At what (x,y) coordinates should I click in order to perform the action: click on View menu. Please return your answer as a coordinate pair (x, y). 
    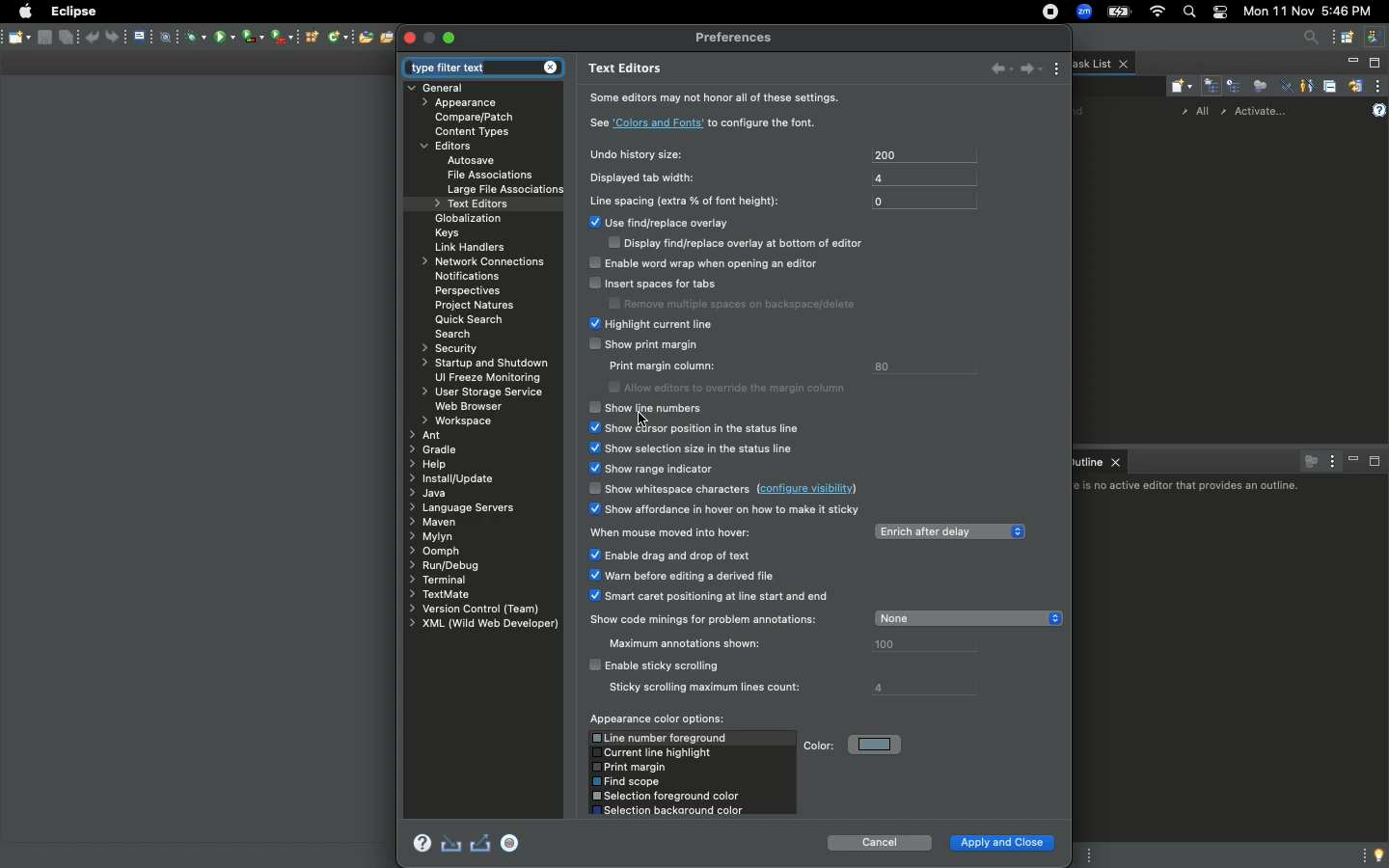
    Looking at the image, I should click on (1331, 461).